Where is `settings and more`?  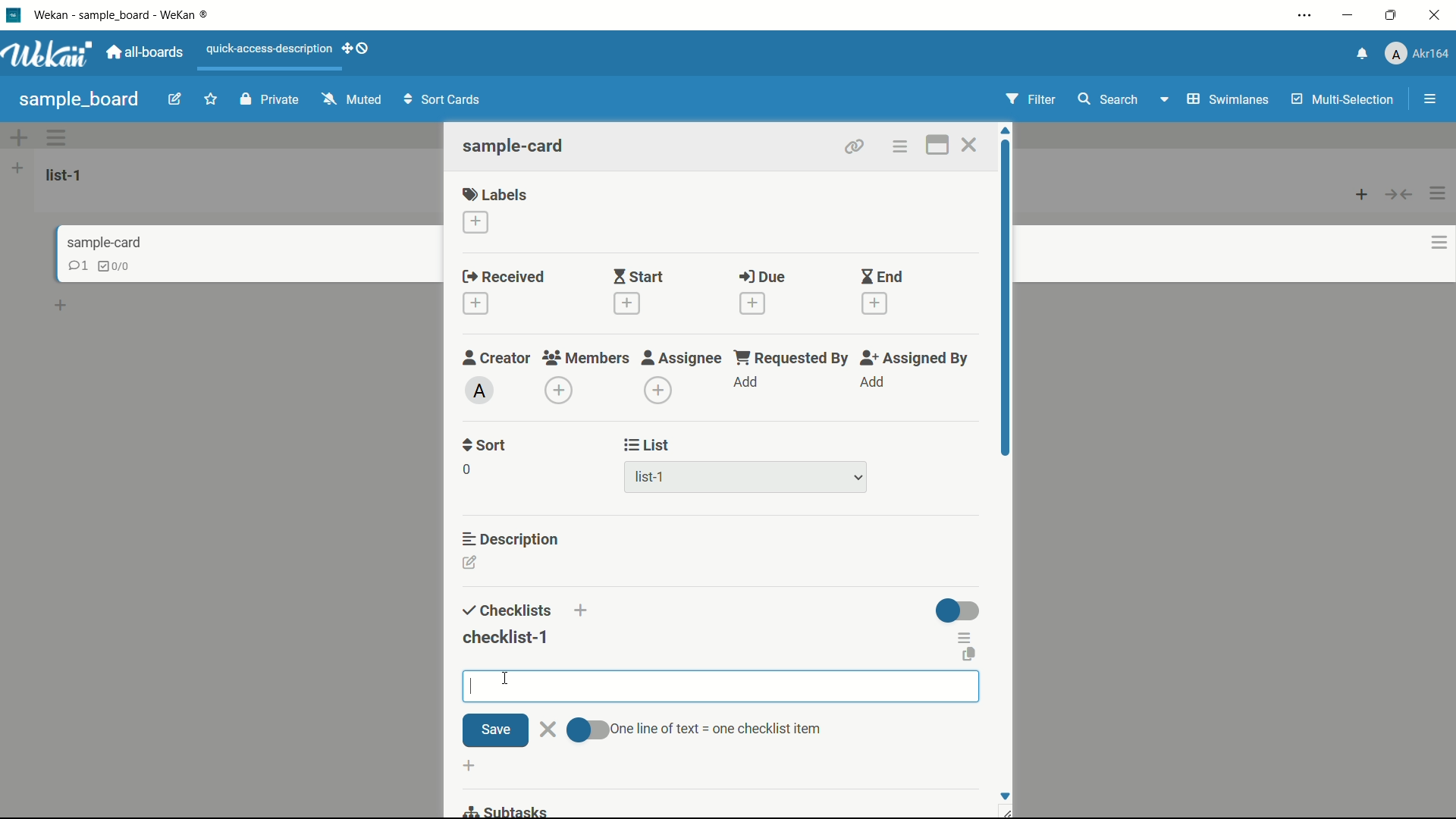 settings and more is located at coordinates (1305, 17).